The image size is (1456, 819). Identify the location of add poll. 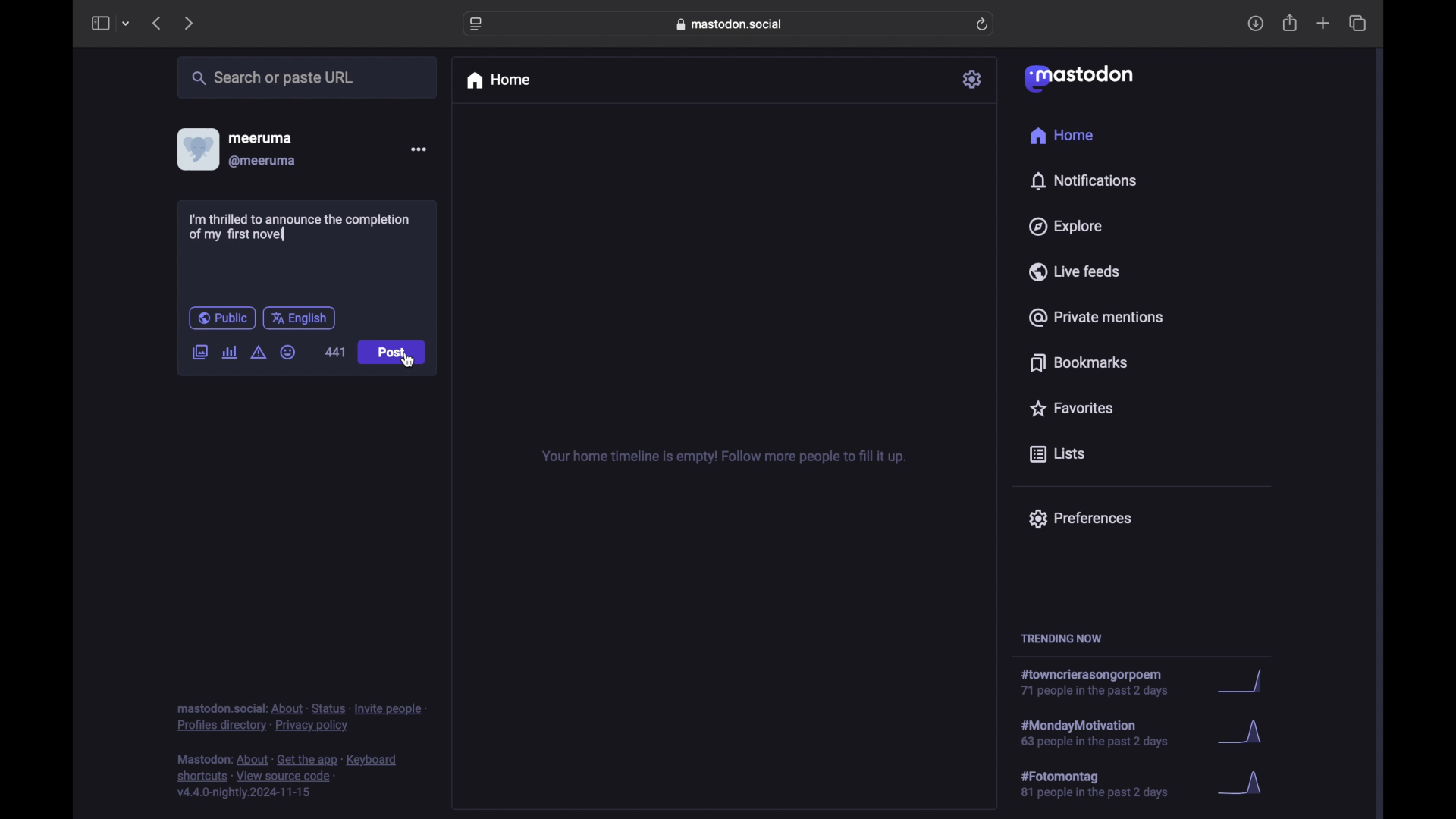
(231, 353).